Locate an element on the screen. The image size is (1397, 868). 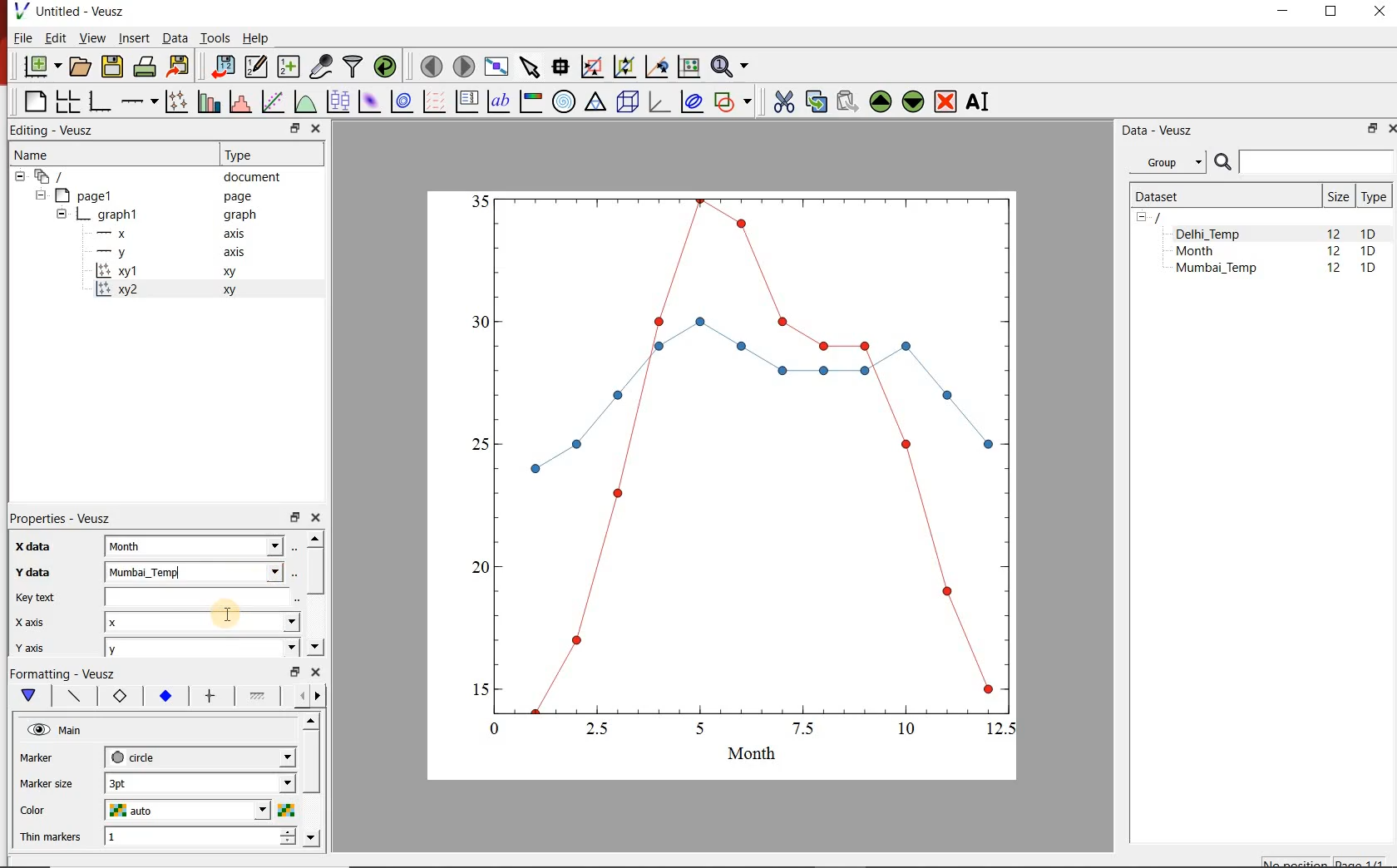
Axis line is located at coordinates (72, 696).